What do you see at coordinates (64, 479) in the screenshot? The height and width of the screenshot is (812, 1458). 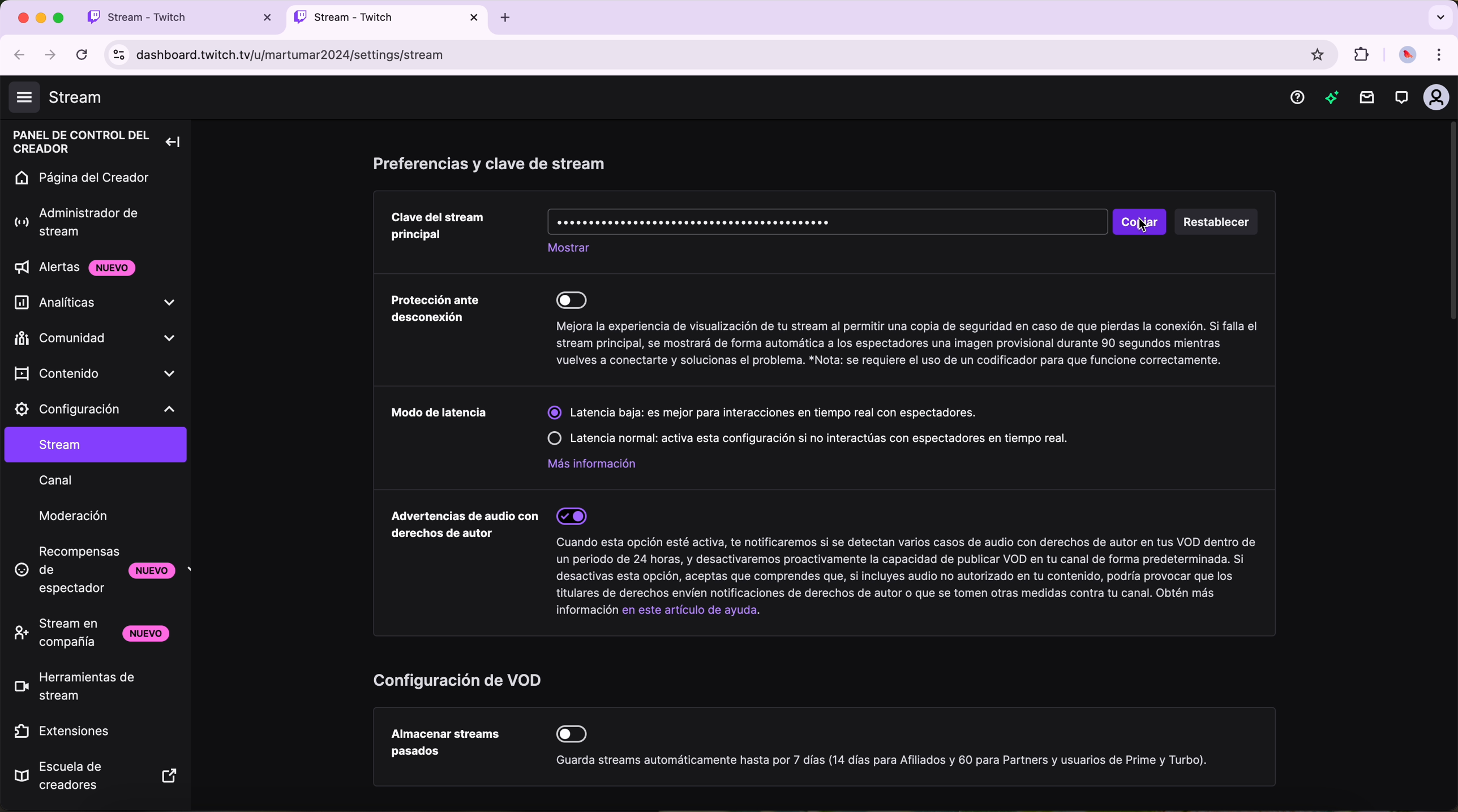 I see `channel` at bounding box center [64, 479].